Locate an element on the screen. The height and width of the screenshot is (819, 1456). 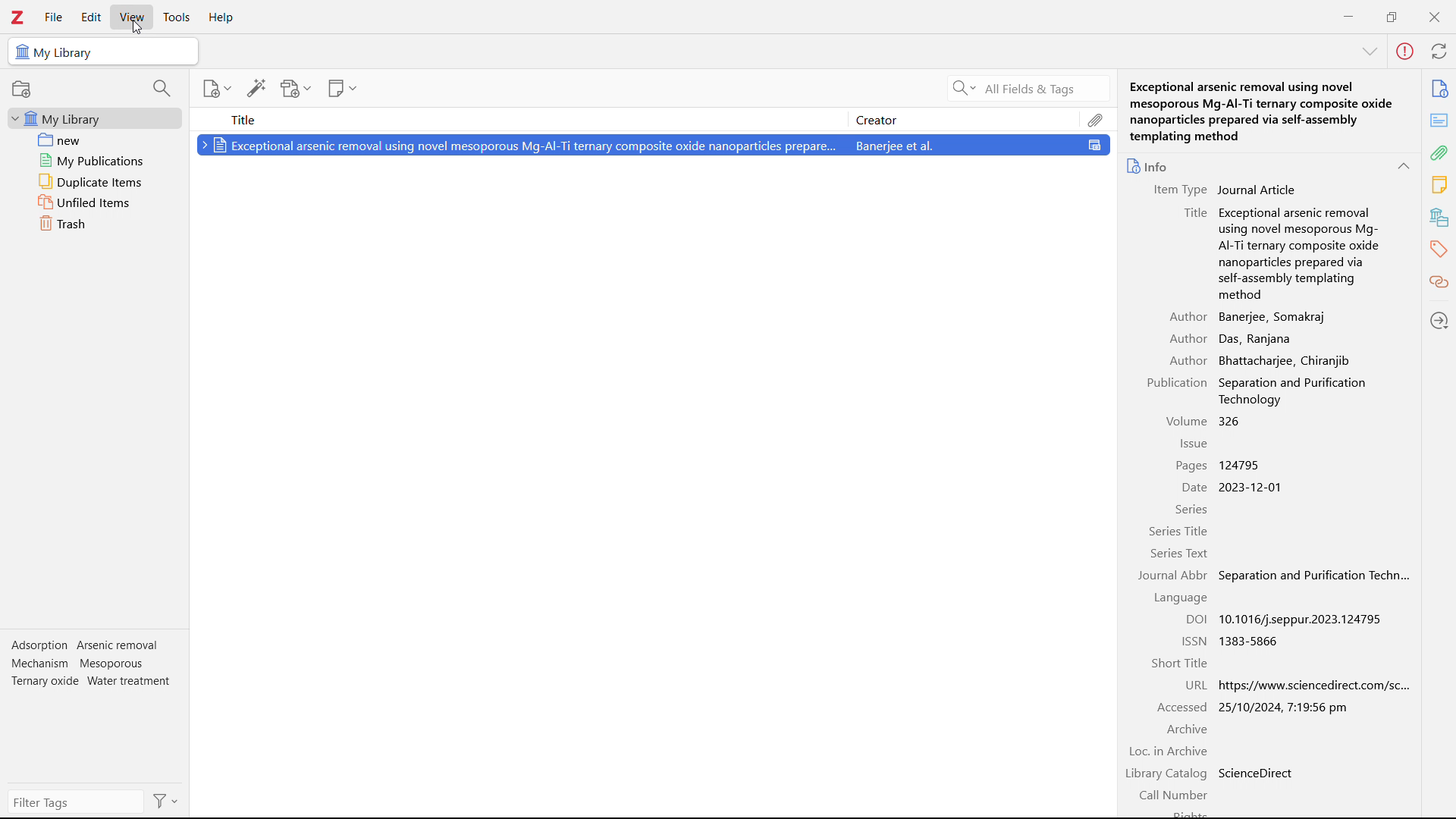
Accessed is located at coordinates (1181, 706).